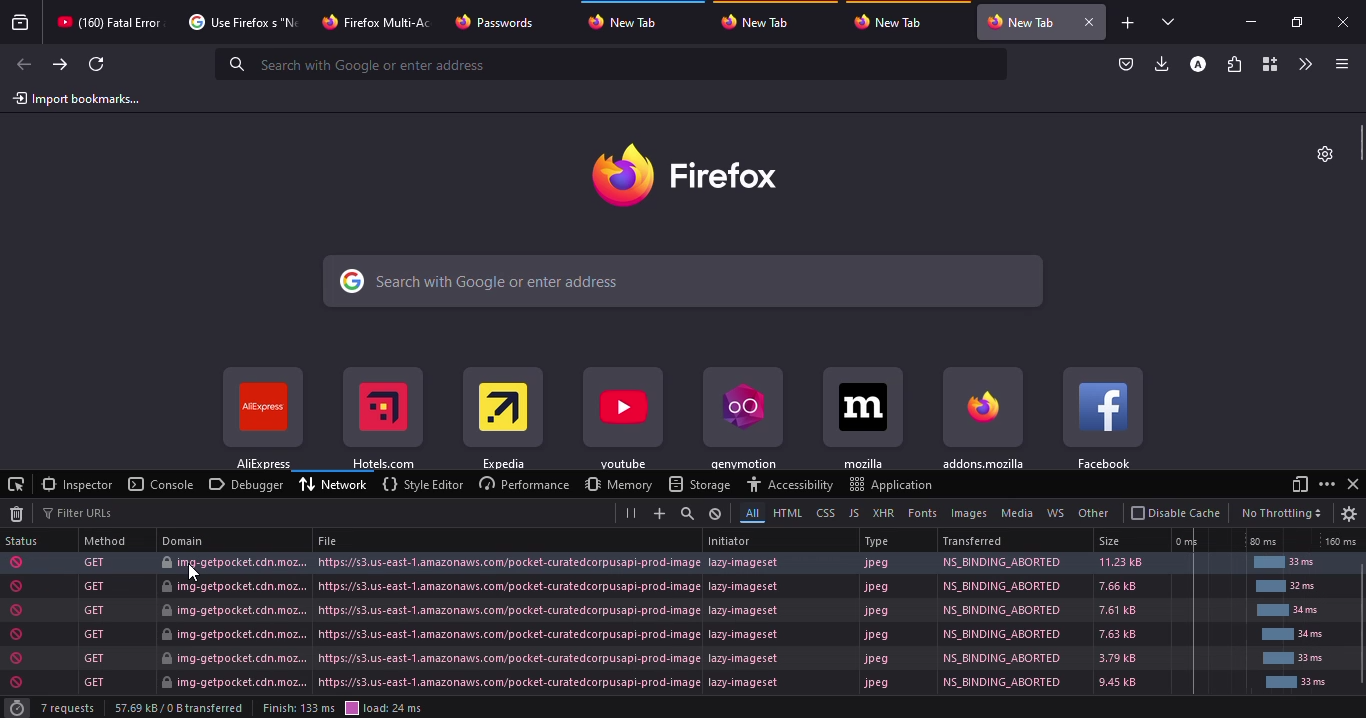 The width and height of the screenshot is (1366, 718). Describe the element at coordinates (1297, 484) in the screenshot. I see `view` at that location.